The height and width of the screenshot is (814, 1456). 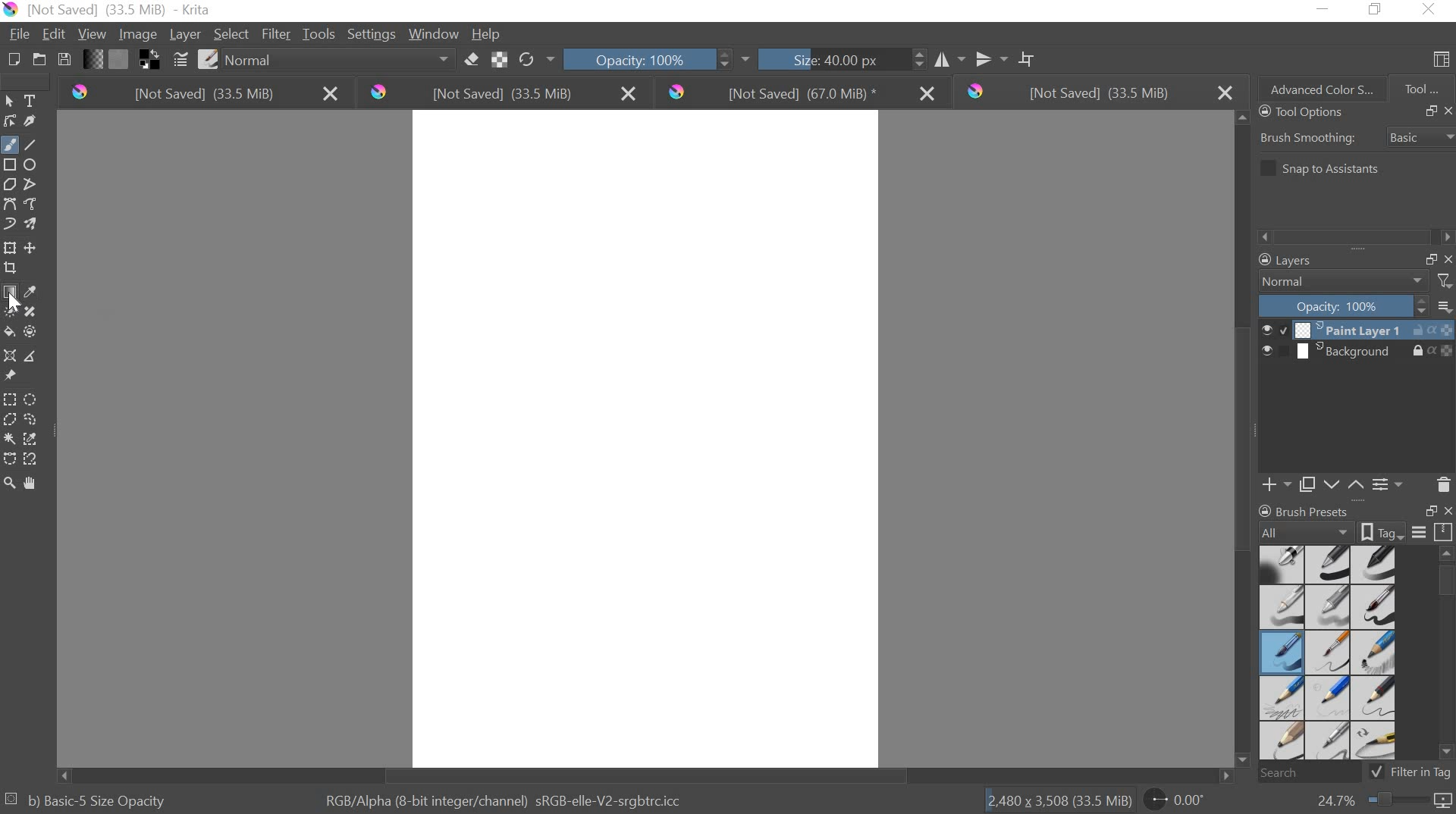 I want to click on RESTORE DOWN, so click(x=1379, y=11).